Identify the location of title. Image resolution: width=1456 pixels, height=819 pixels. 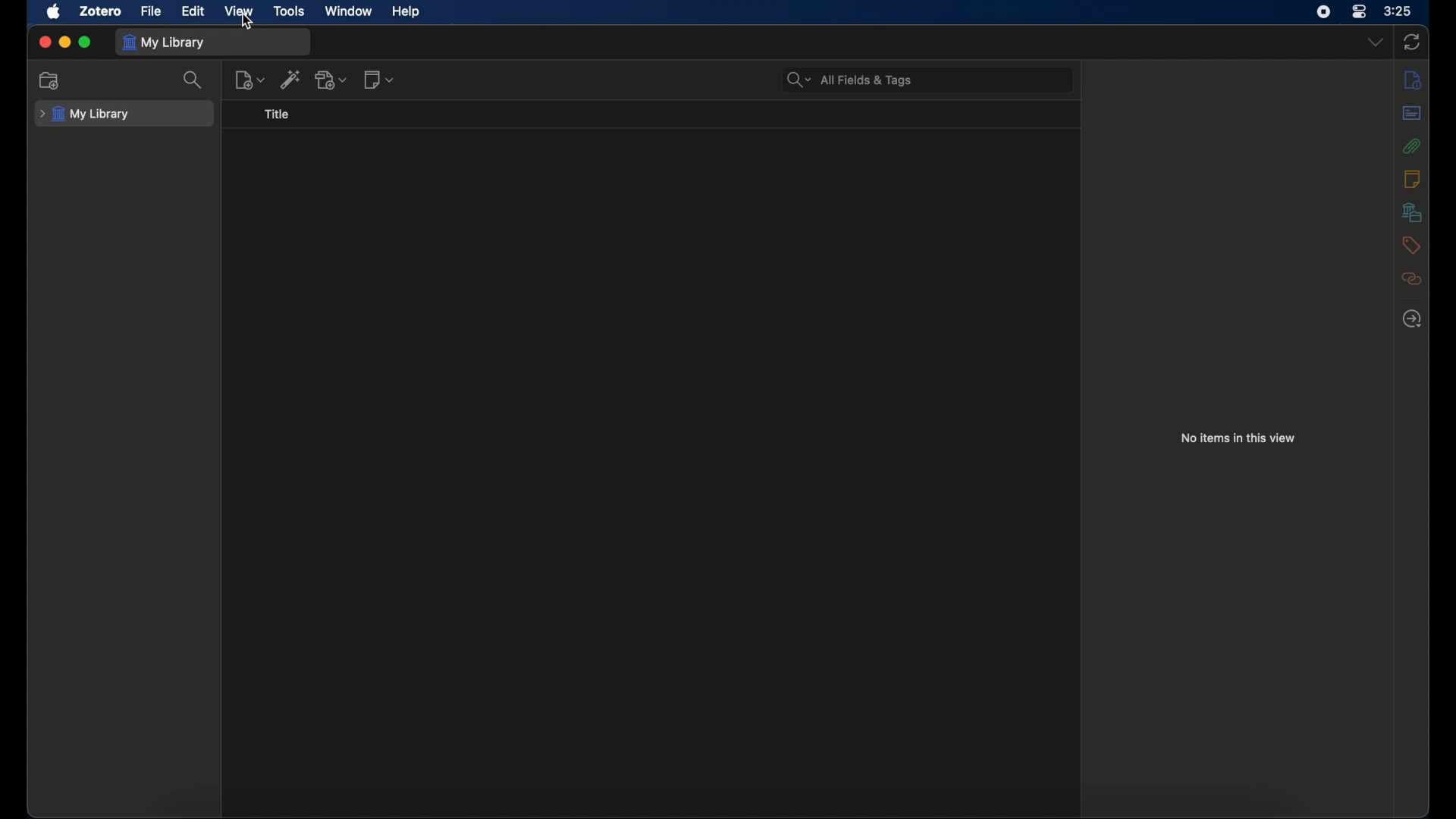
(276, 114).